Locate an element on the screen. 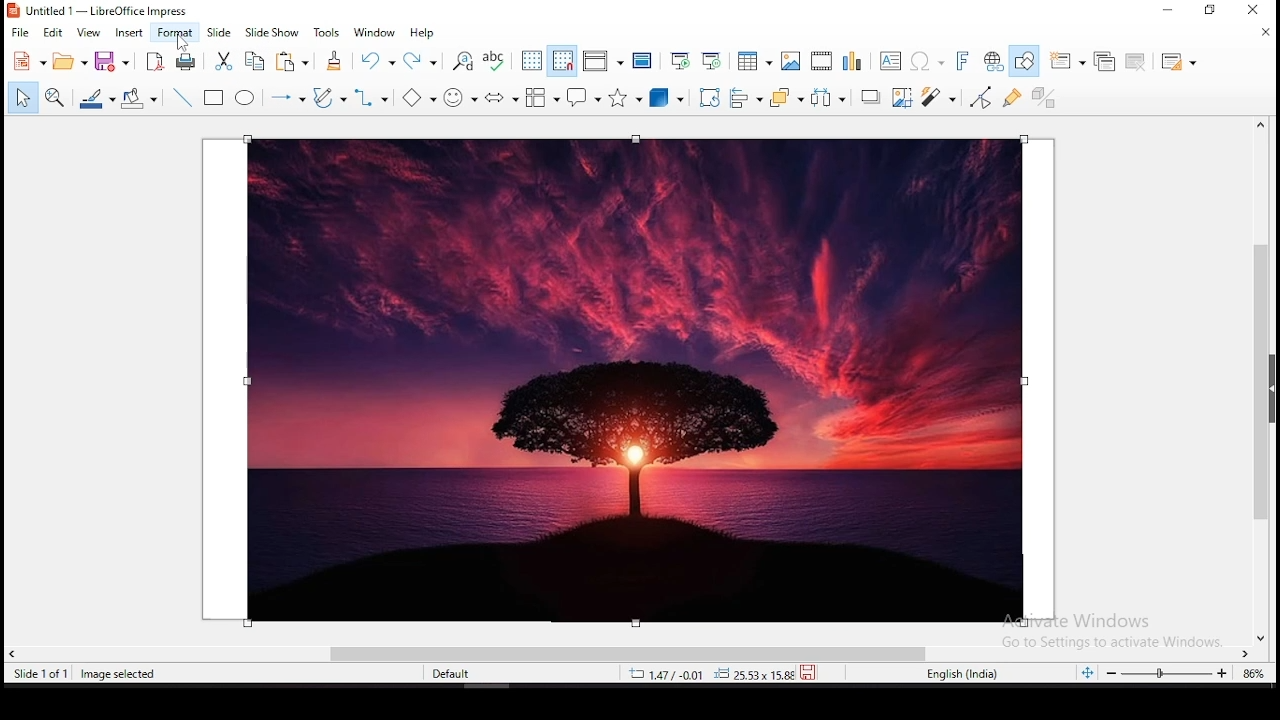 This screenshot has width=1280, height=720. callout shape is located at coordinates (584, 101).